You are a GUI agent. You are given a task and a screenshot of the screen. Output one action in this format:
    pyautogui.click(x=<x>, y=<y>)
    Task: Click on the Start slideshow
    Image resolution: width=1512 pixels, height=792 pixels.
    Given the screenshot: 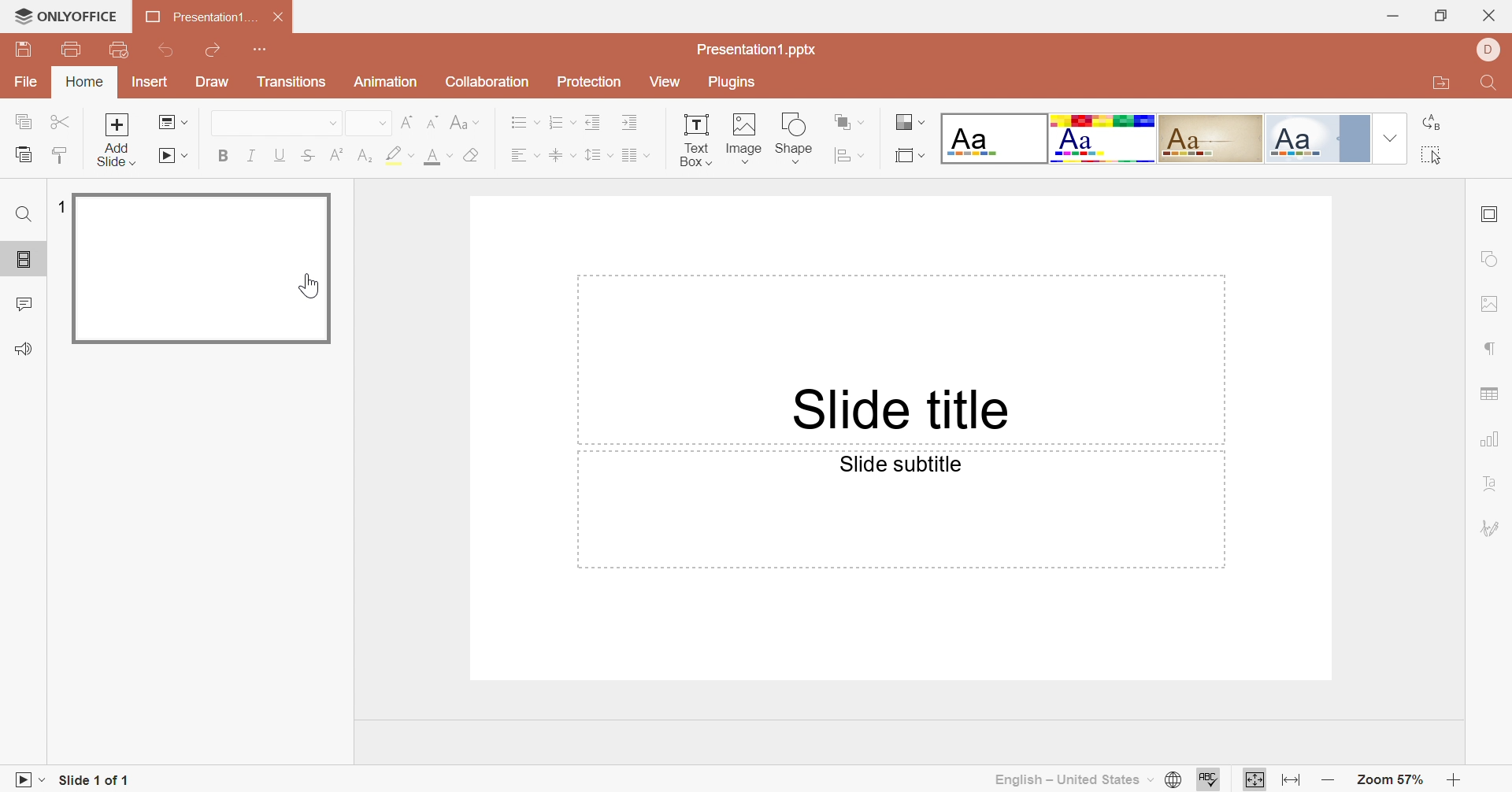 What is the action you would take?
    pyautogui.click(x=168, y=155)
    